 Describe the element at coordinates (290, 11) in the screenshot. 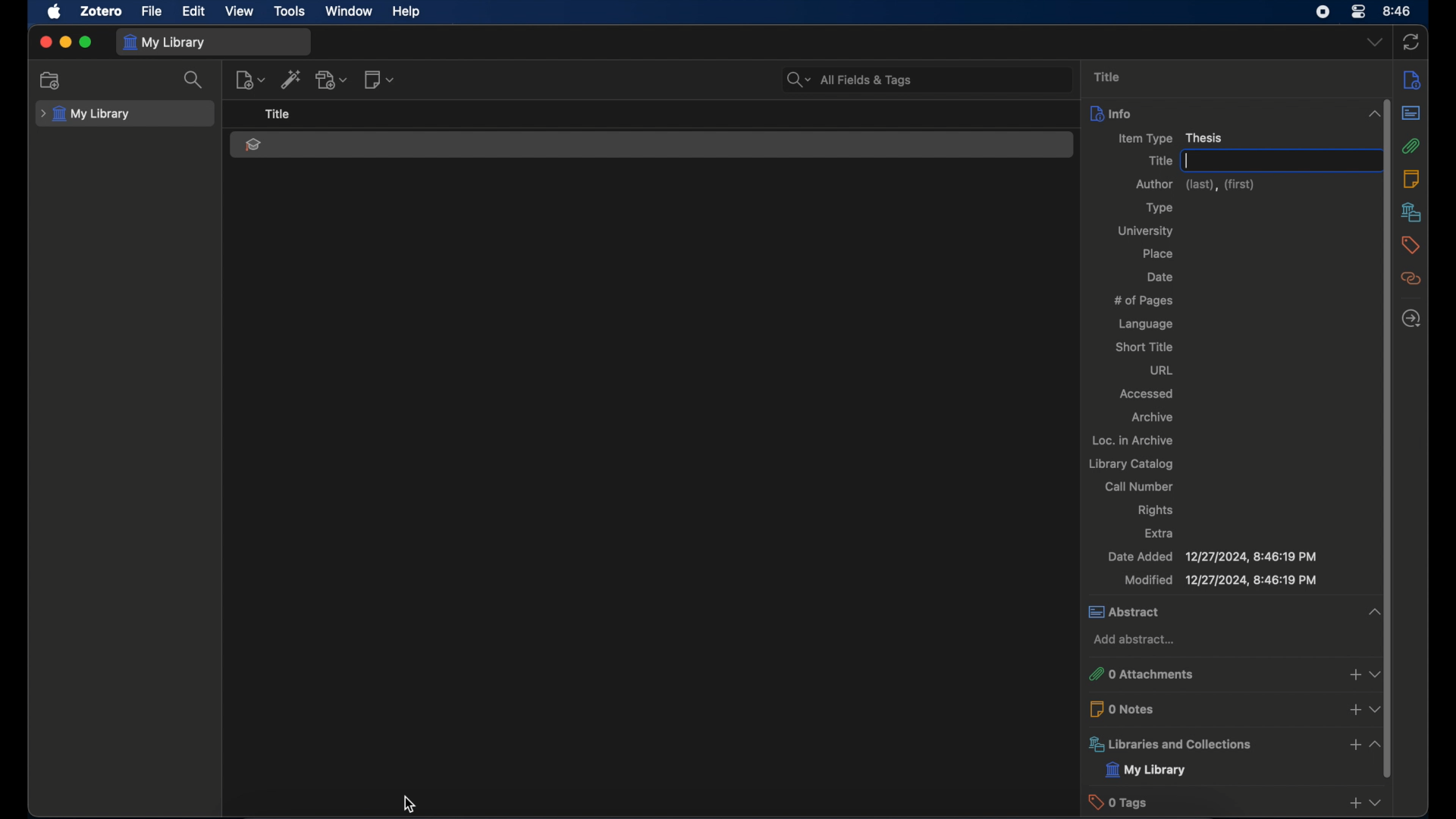

I see `tools` at that location.